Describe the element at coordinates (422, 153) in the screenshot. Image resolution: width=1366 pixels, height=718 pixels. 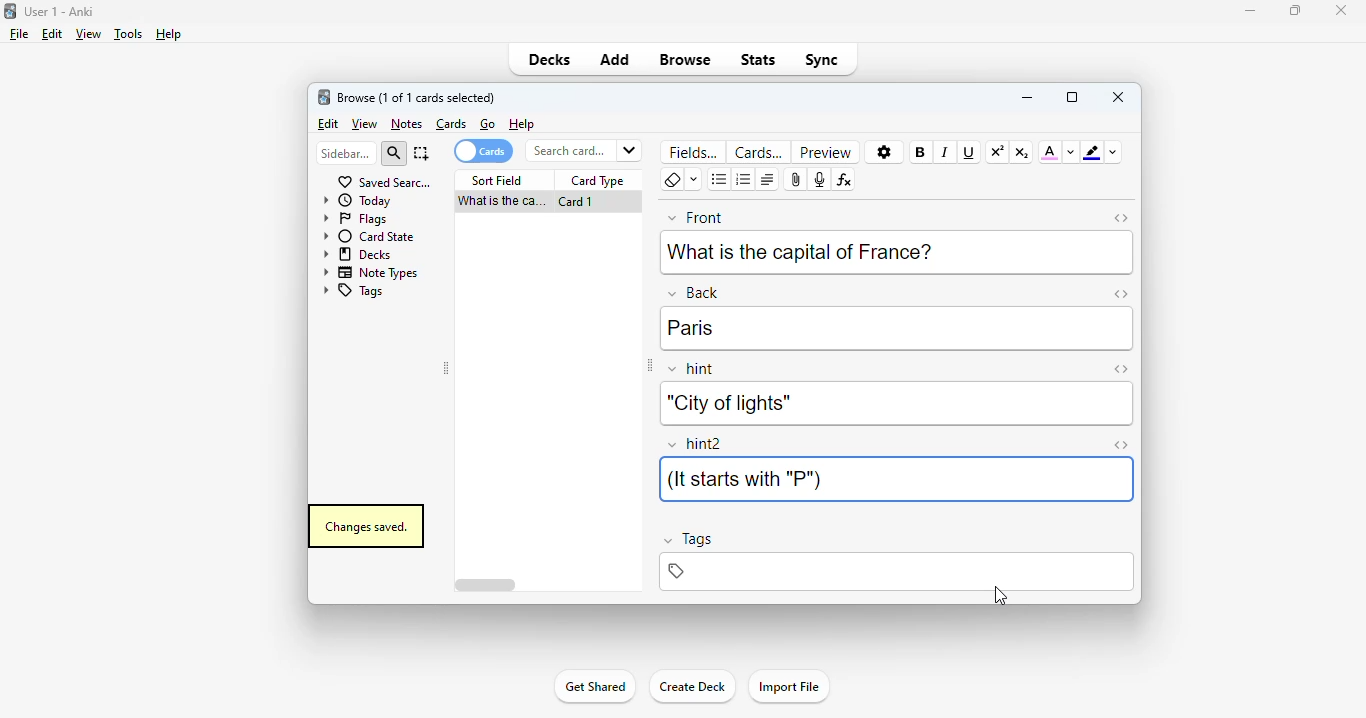
I see `select` at that location.